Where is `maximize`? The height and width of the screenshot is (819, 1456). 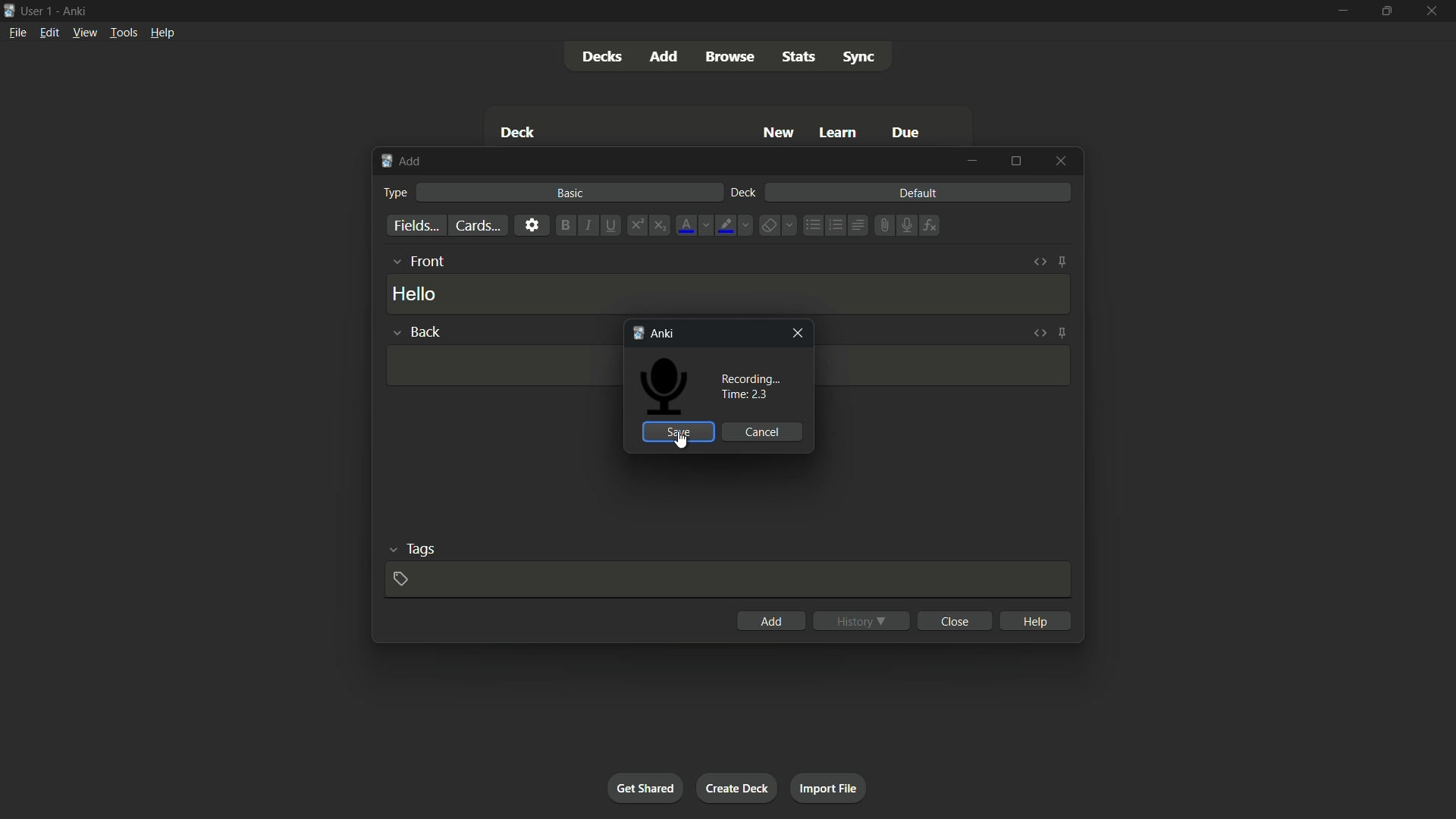 maximize is located at coordinates (1015, 162).